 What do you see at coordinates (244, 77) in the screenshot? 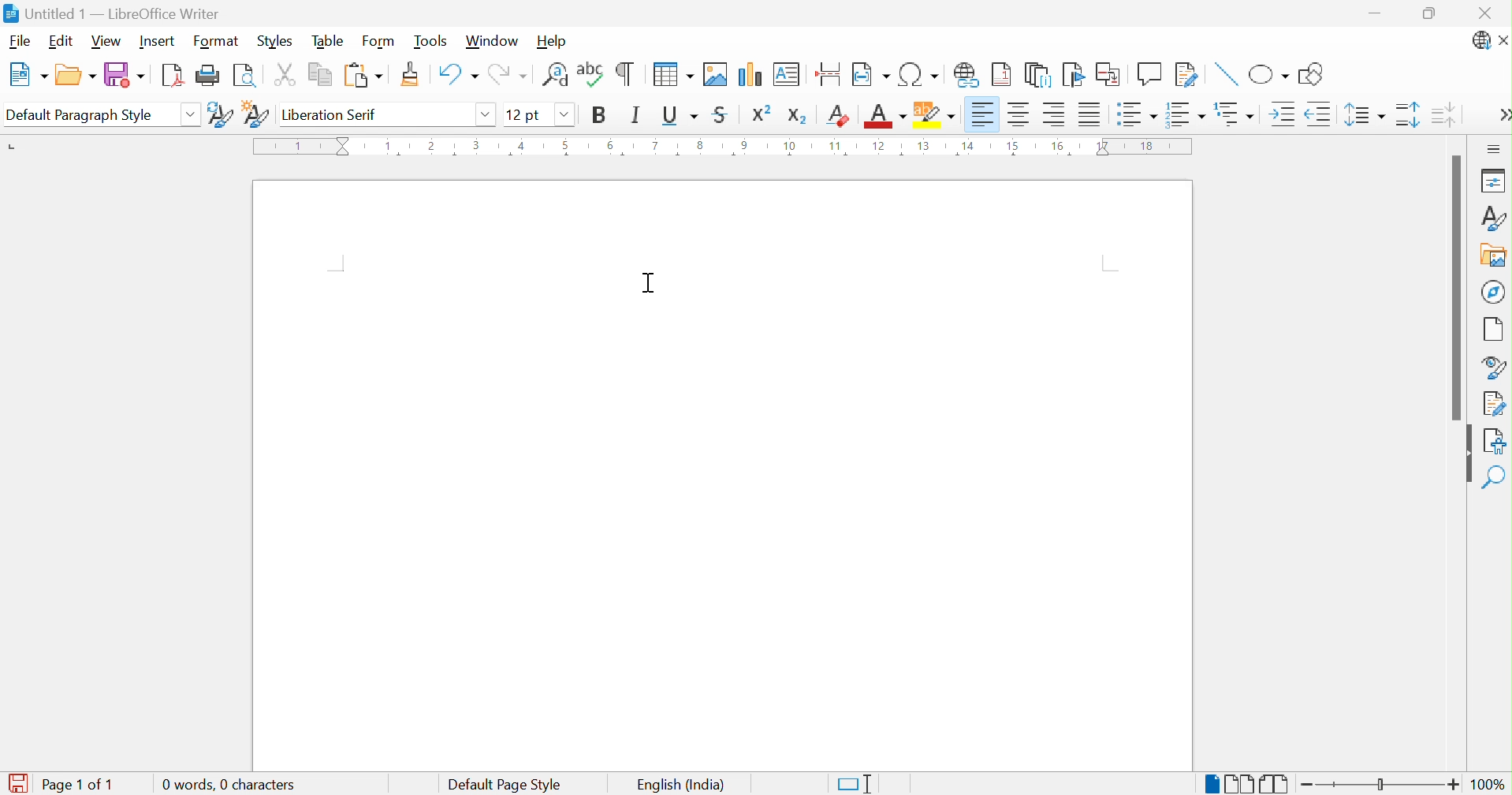
I see `Toggle print preview` at bounding box center [244, 77].